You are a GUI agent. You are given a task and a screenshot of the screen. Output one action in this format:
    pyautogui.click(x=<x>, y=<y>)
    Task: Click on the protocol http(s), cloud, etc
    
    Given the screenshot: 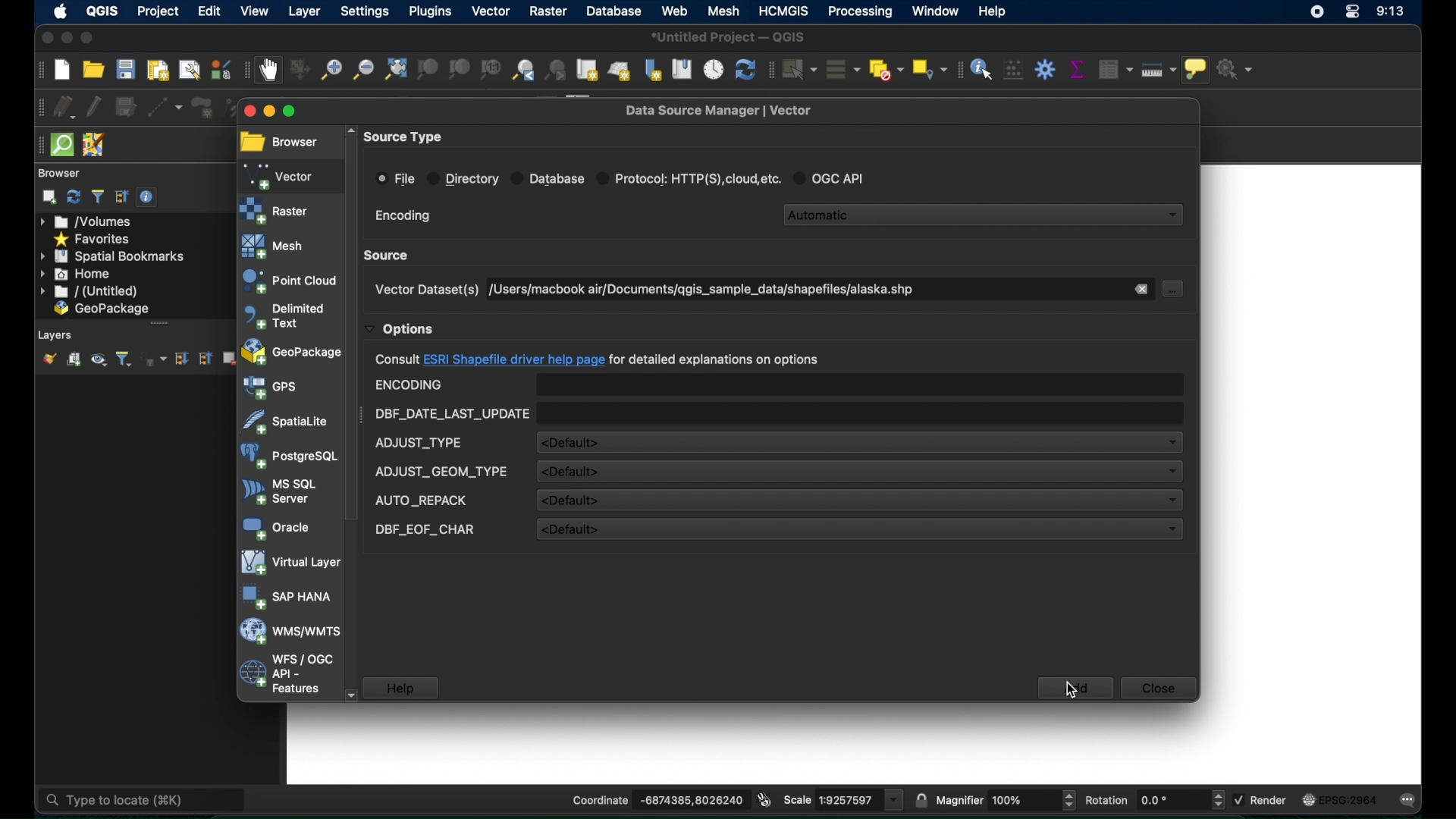 What is the action you would take?
    pyautogui.click(x=690, y=177)
    